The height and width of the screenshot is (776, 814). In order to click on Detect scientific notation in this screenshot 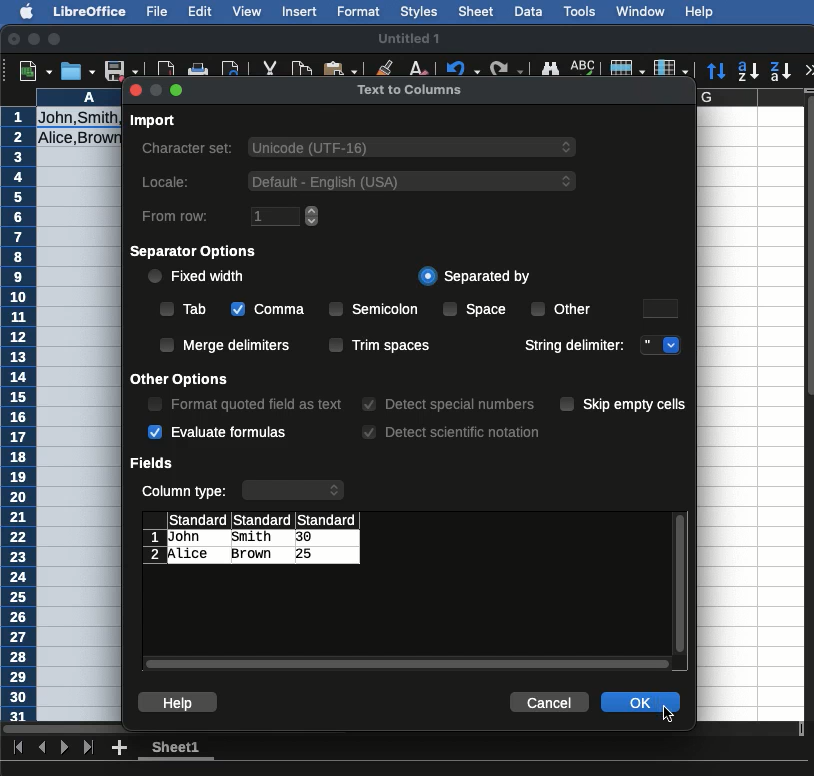, I will do `click(451, 430)`.